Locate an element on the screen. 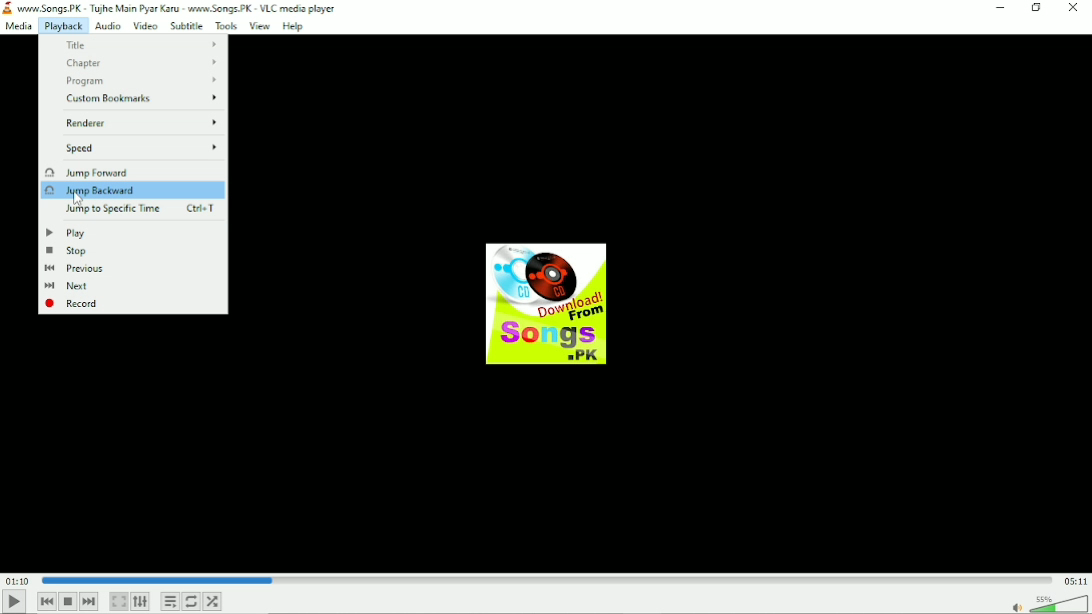  Tools is located at coordinates (226, 26).